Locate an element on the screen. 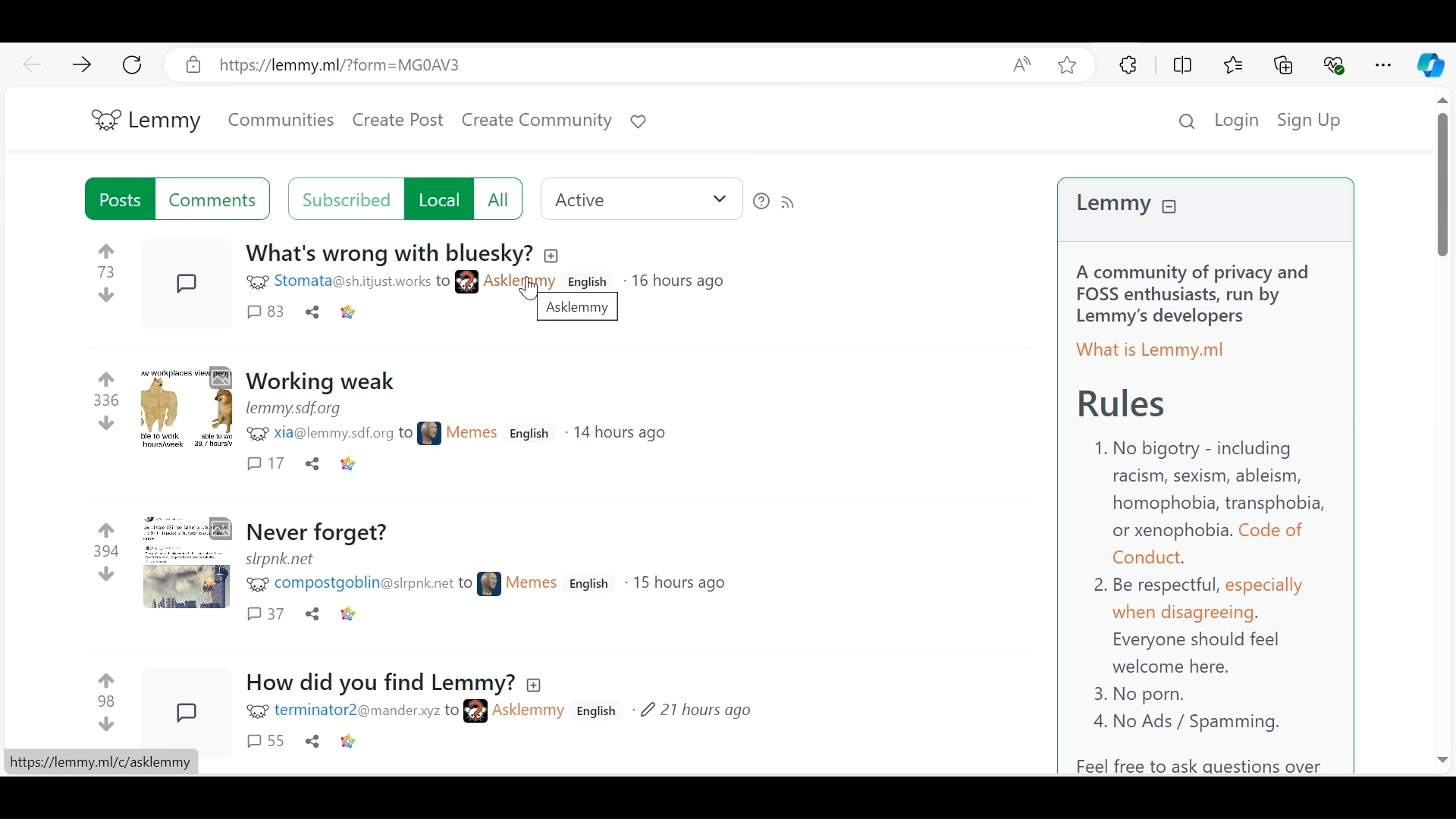  Time posted is located at coordinates (620, 435).